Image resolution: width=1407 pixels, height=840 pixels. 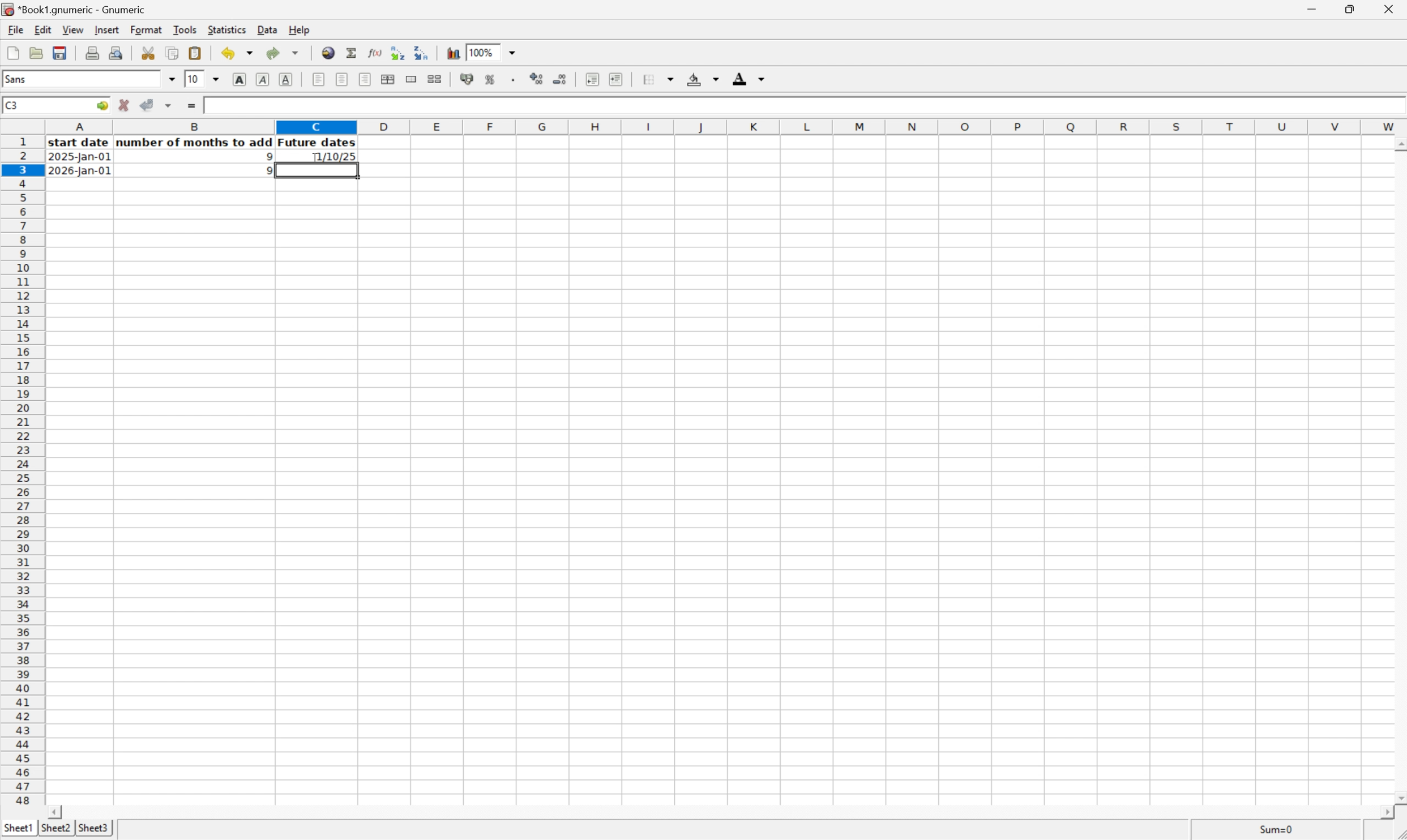 What do you see at coordinates (281, 52) in the screenshot?
I see `Redo` at bounding box center [281, 52].